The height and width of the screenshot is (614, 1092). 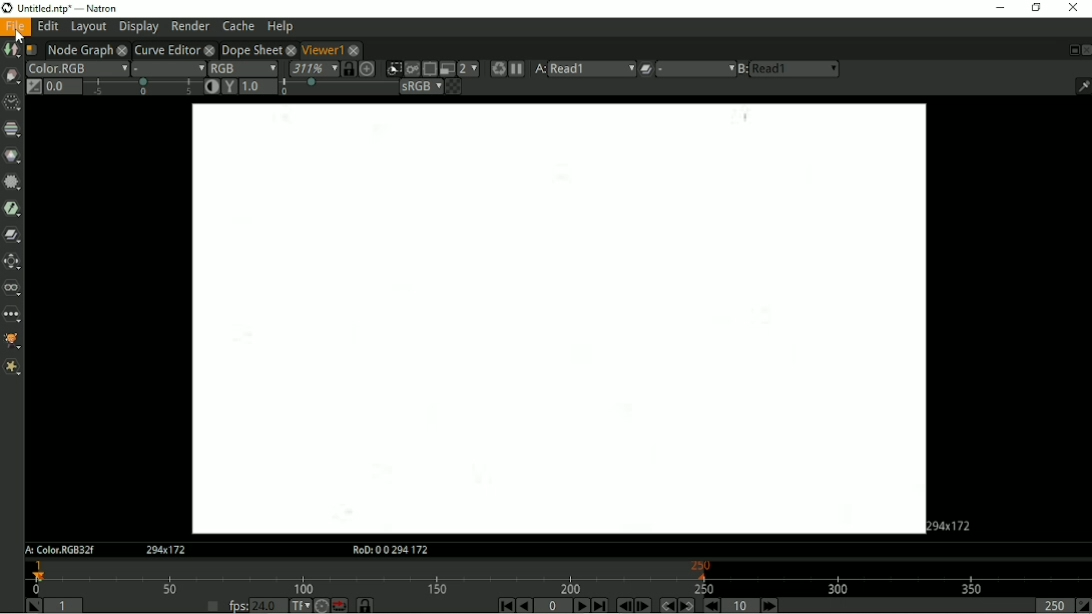 What do you see at coordinates (77, 69) in the screenshot?
I see `Layer` at bounding box center [77, 69].